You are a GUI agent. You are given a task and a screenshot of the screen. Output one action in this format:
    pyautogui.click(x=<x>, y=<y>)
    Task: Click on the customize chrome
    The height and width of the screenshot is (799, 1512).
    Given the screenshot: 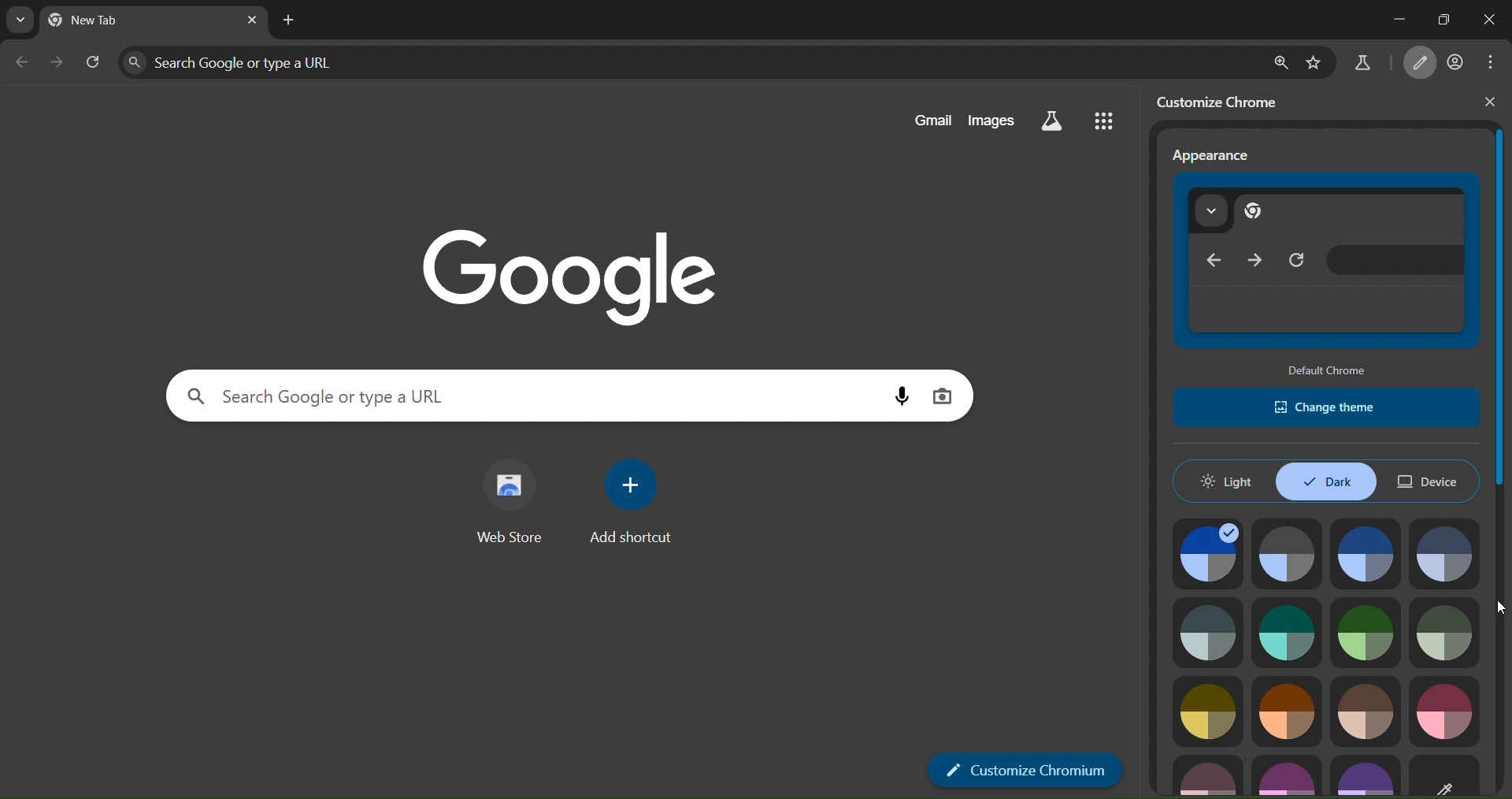 What is the action you would take?
    pyautogui.click(x=1223, y=99)
    